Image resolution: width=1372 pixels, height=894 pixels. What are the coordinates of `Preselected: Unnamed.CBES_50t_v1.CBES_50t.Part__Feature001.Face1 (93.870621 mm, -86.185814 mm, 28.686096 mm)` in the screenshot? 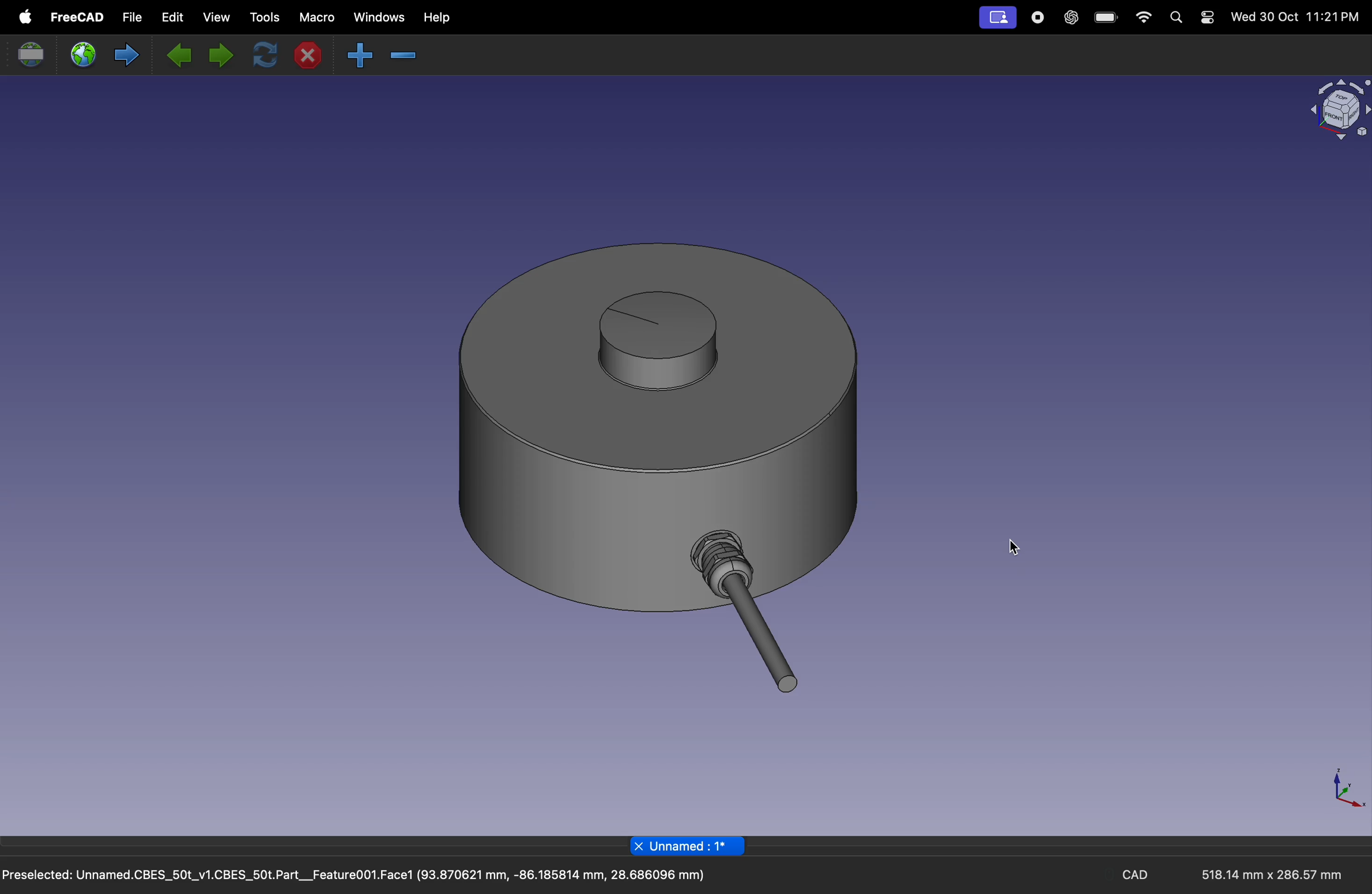 It's located at (355, 877).